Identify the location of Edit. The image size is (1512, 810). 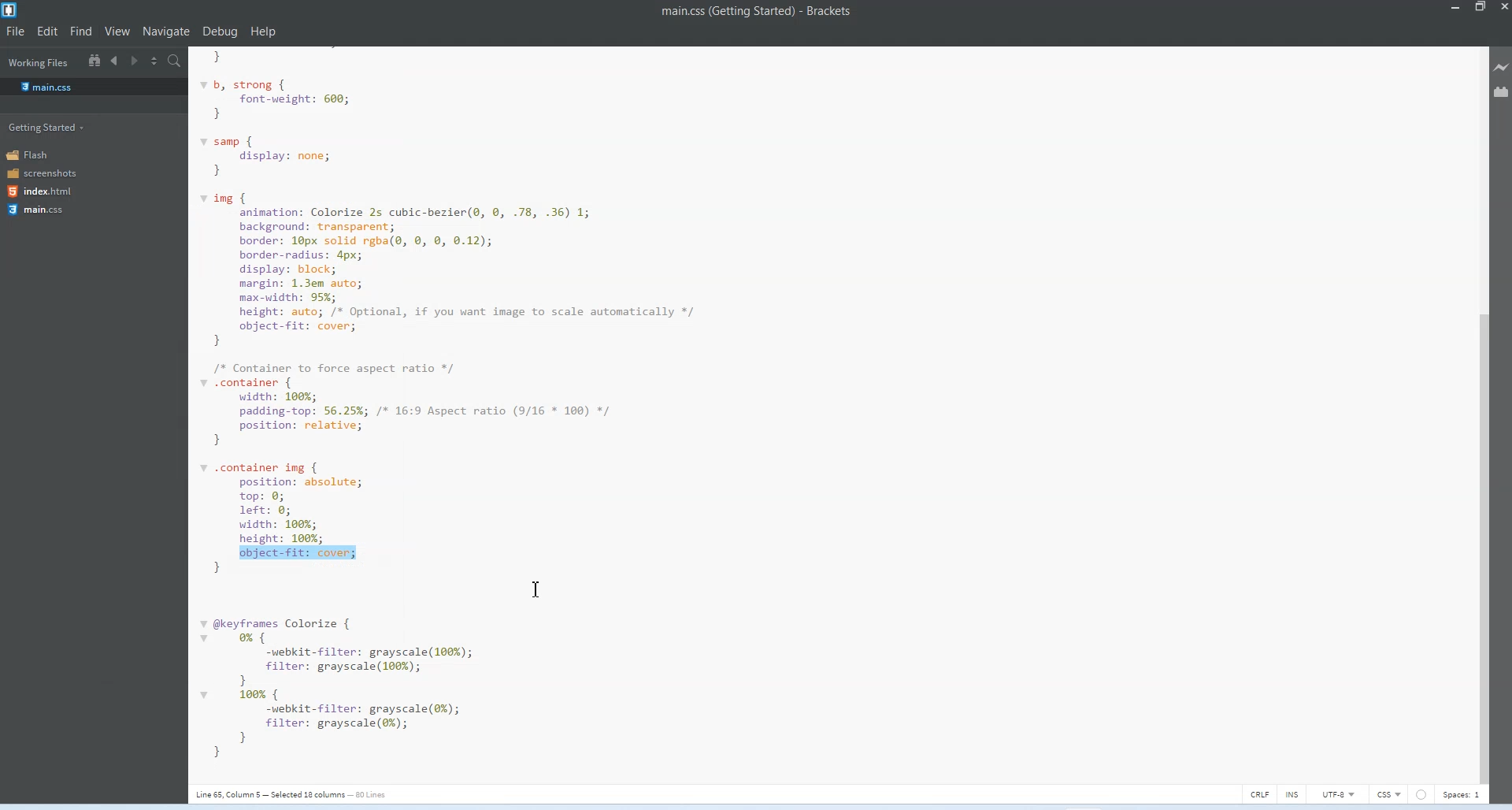
(47, 30).